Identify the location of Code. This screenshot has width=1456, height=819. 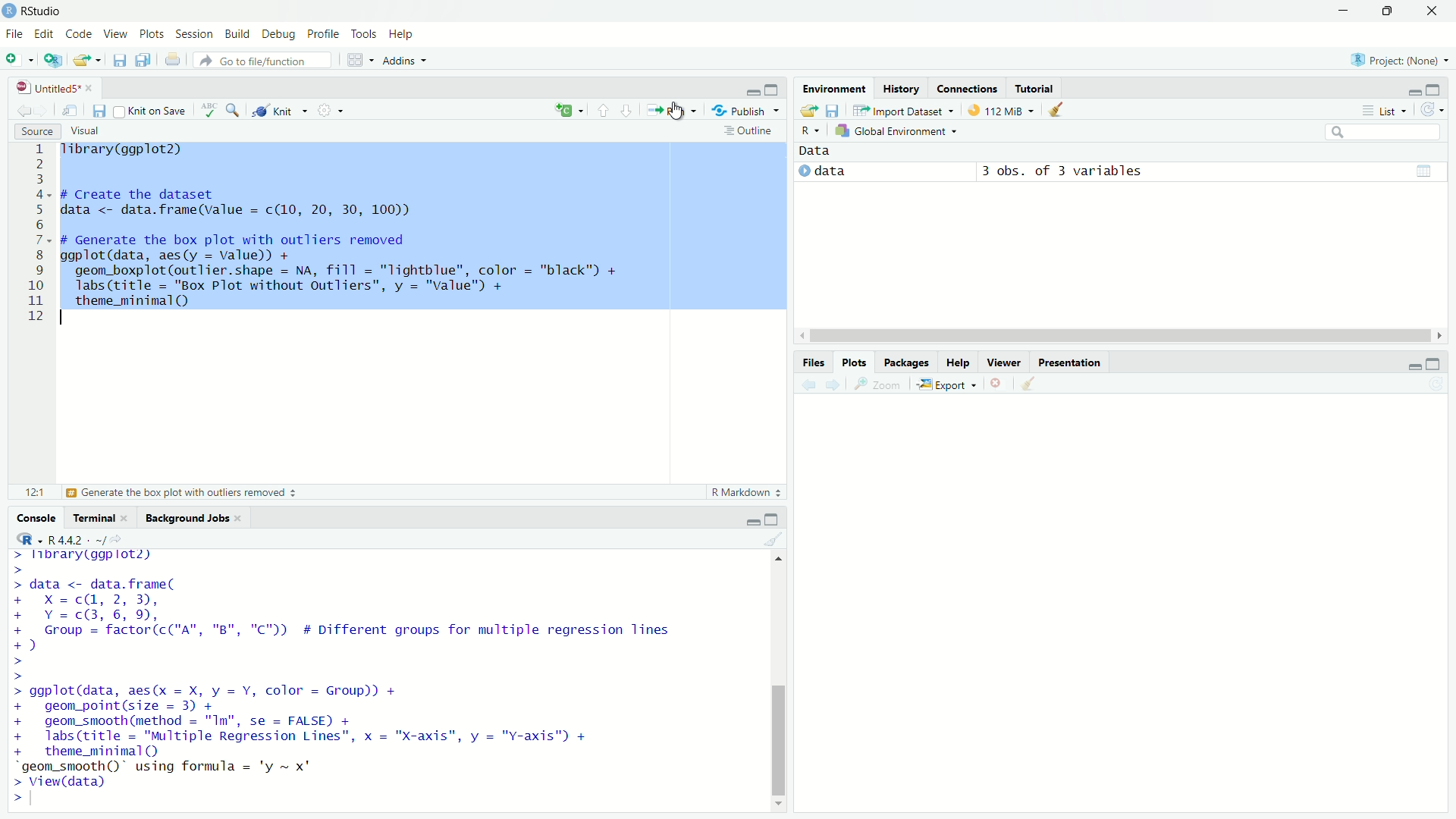
(79, 34).